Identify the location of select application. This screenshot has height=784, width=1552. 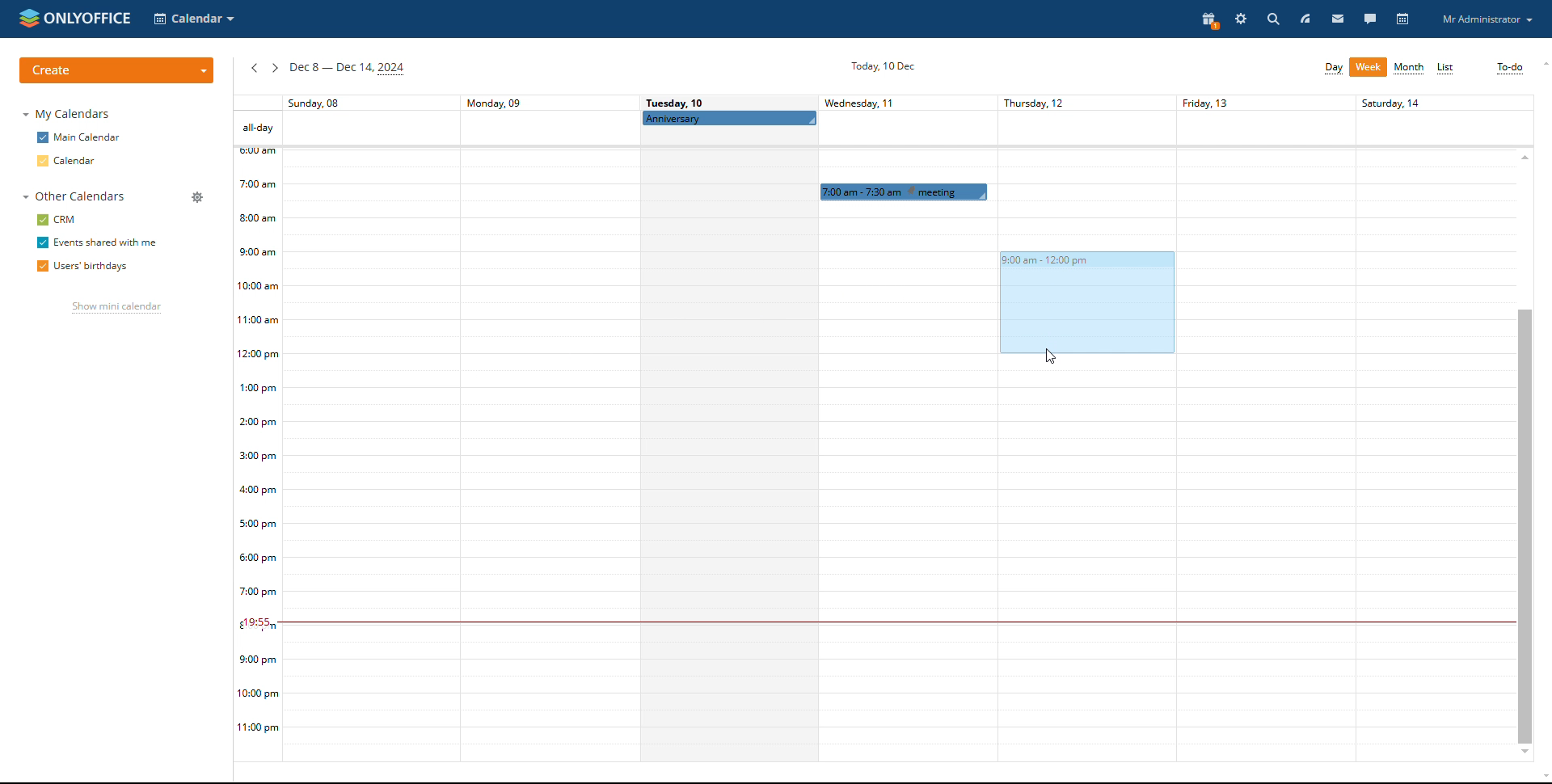
(194, 19).